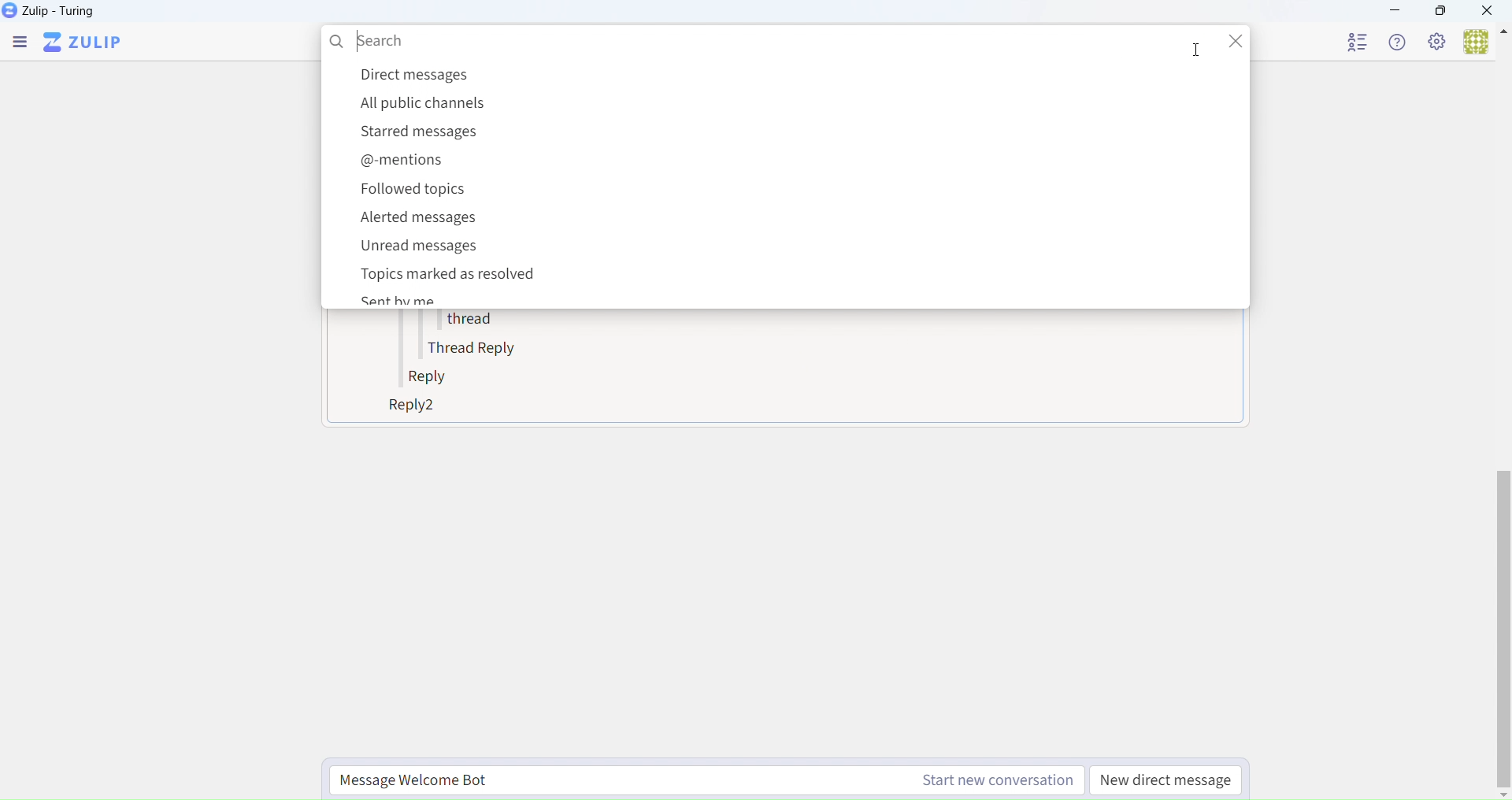 The width and height of the screenshot is (1512, 800). I want to click on Reply2, so click(406, 408).